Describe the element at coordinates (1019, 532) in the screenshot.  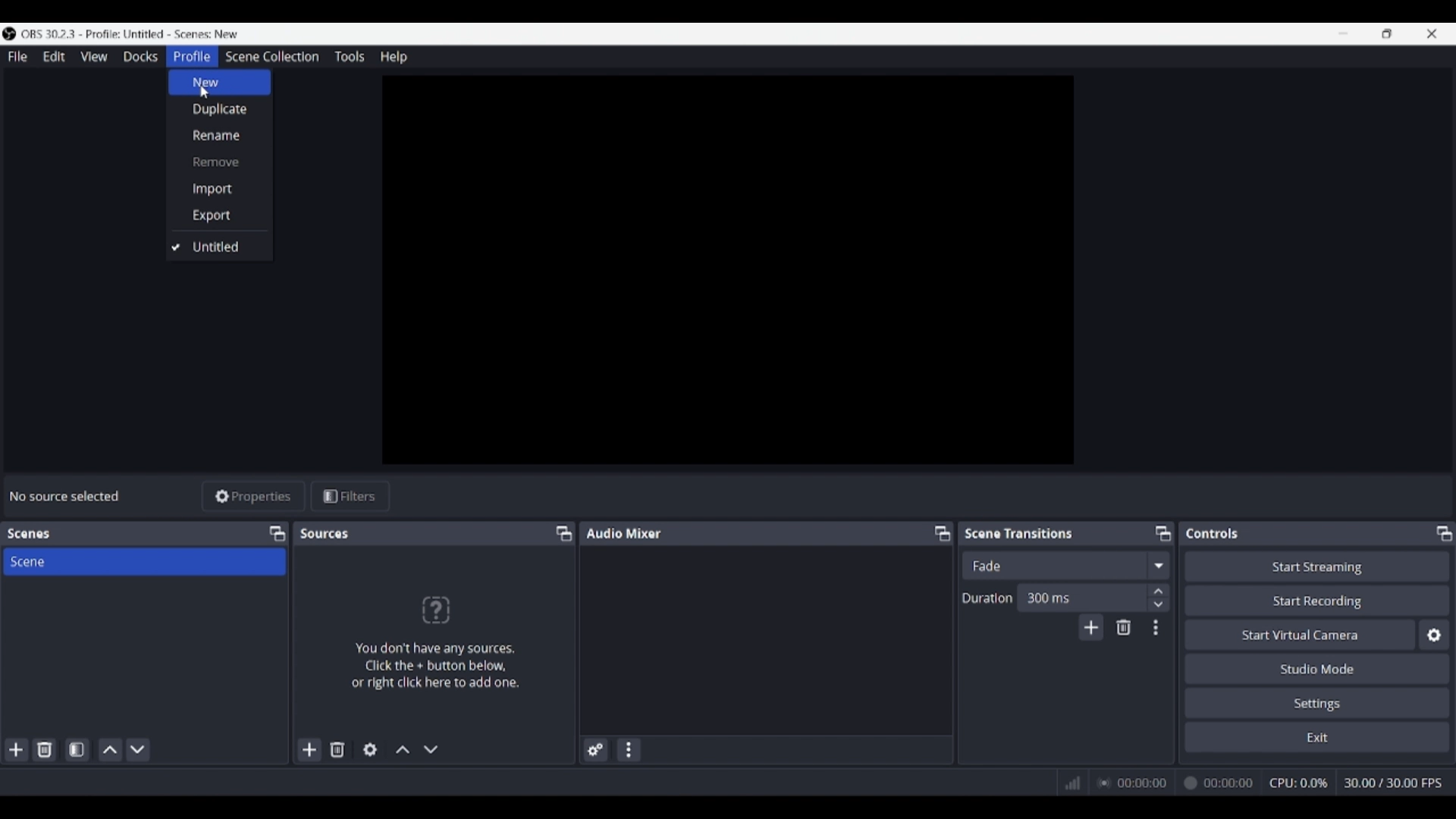
I see `Panel title` at that location.